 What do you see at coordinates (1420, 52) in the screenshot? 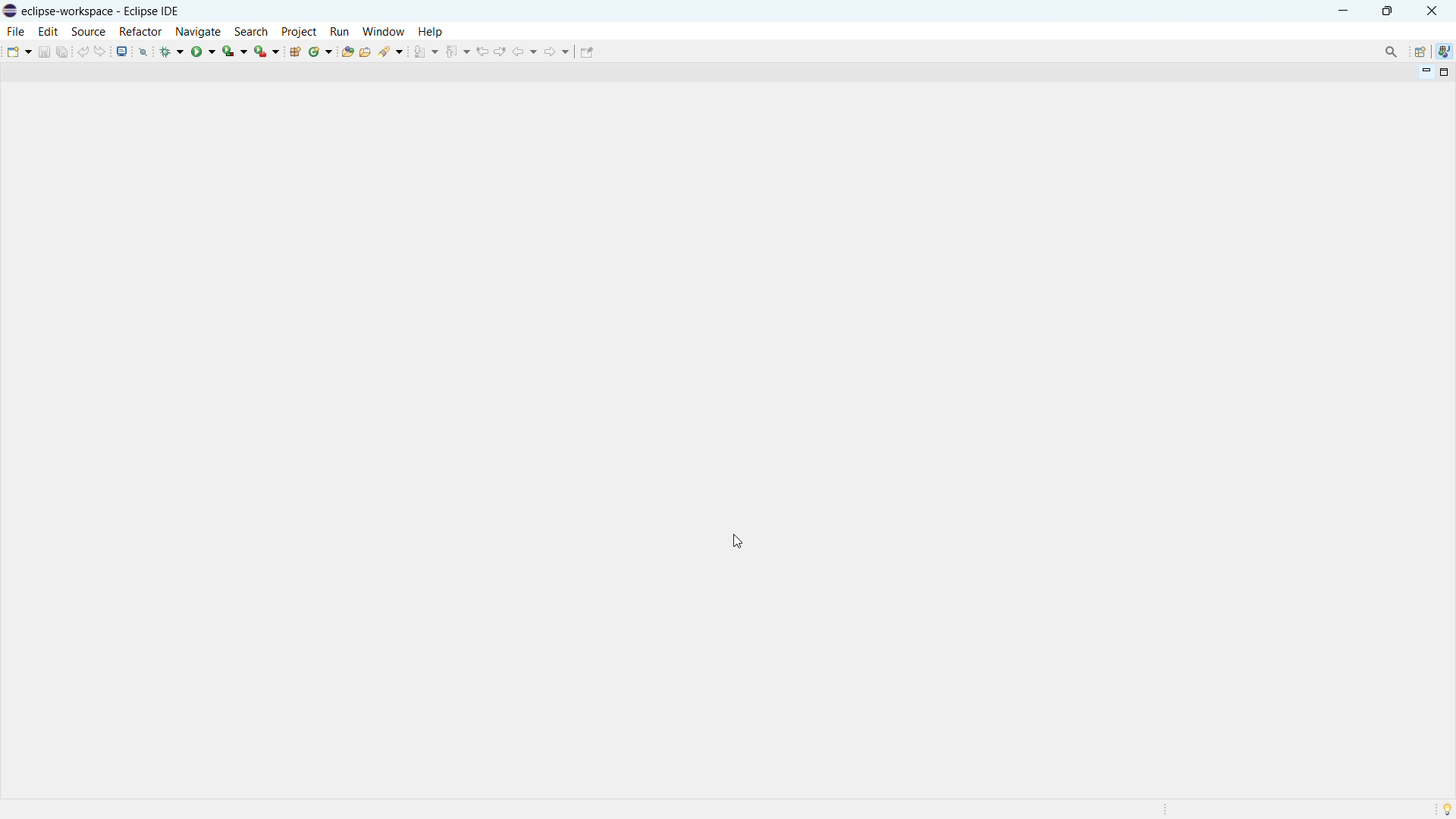
I see `open perspective` at bounding box center [1420, 52].